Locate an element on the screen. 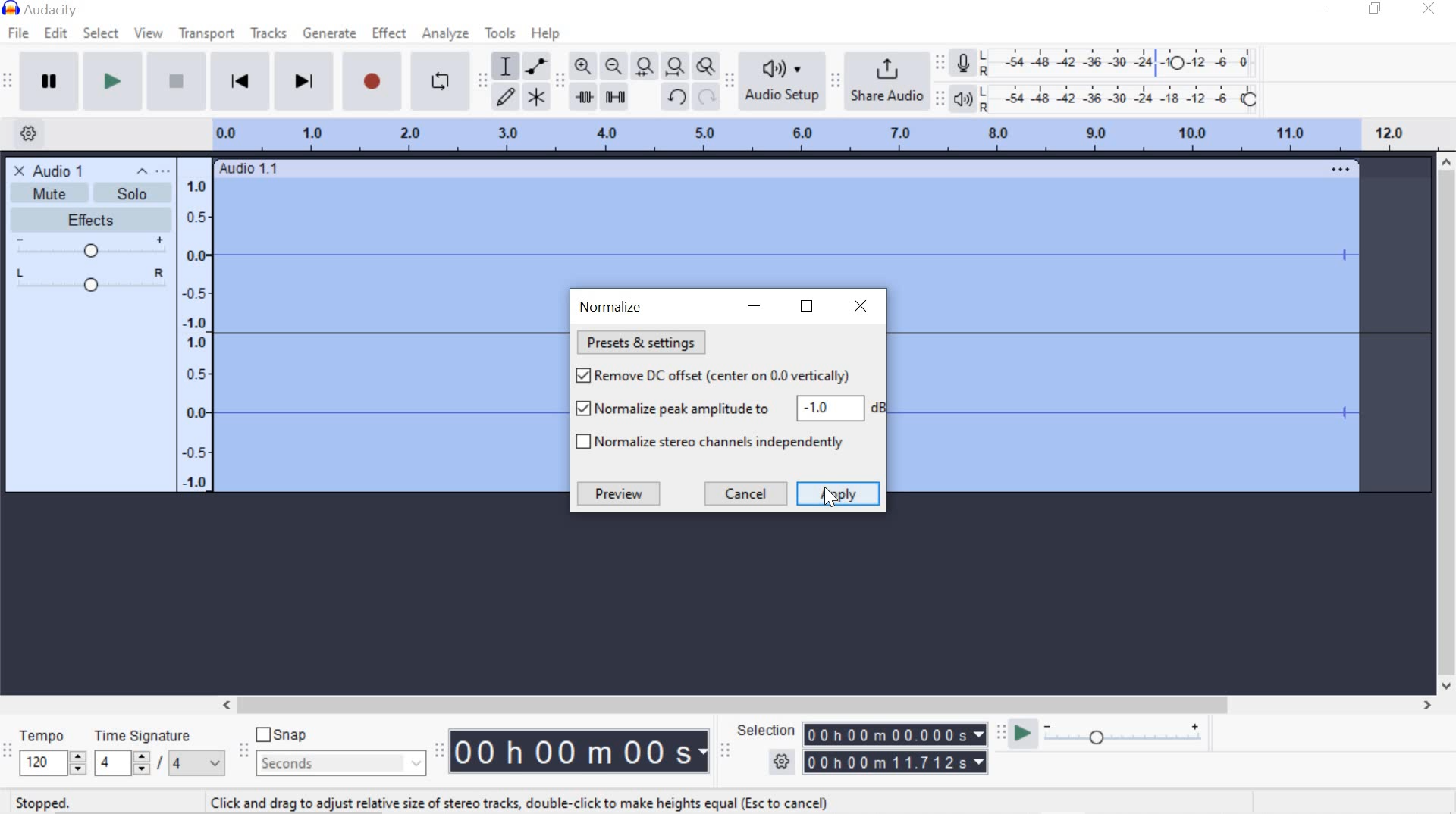 Image resolution: width=1456 pixels, height=814 pixels. tools is located at coordinates (500, 33).